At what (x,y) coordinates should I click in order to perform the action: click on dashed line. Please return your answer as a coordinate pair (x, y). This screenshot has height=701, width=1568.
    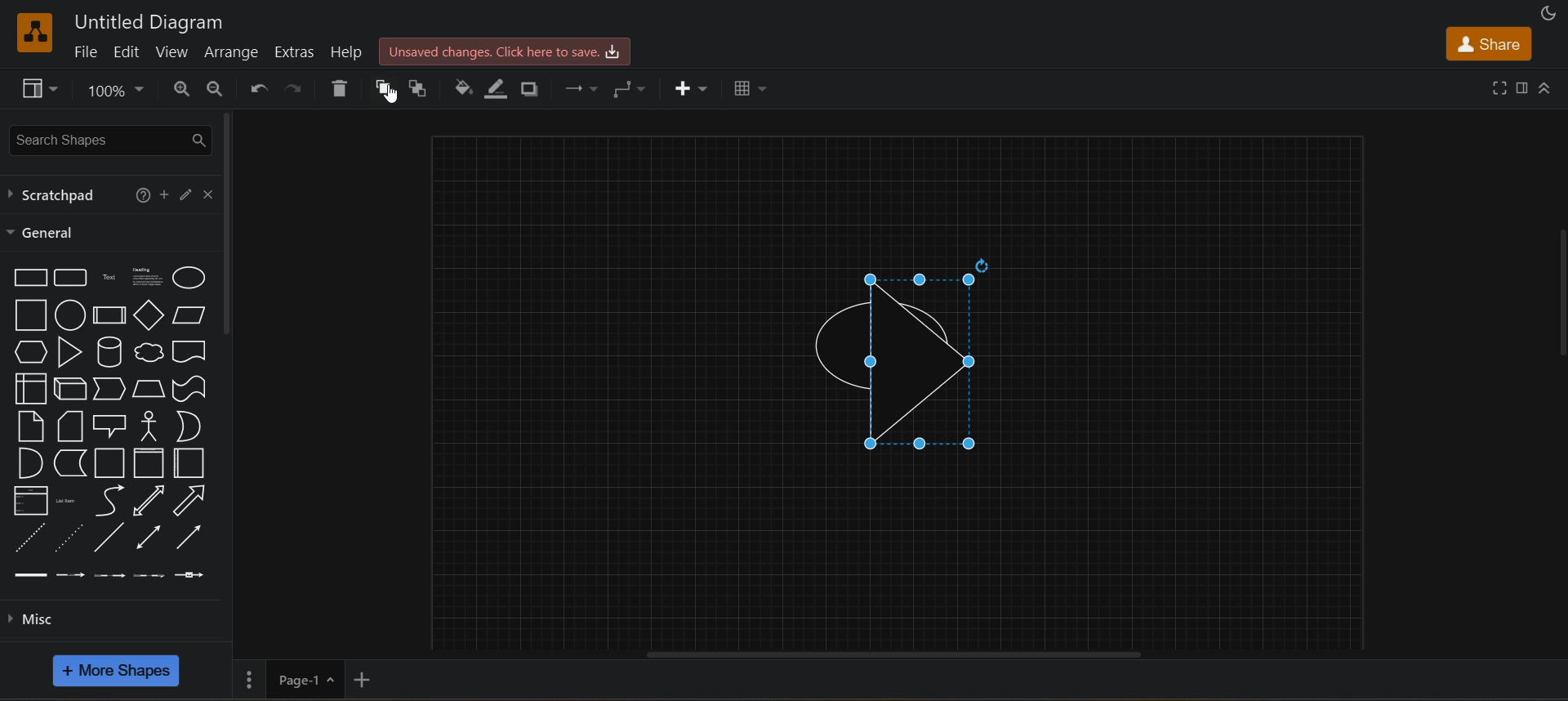
    Looking at the image, I should click on (30, 537).